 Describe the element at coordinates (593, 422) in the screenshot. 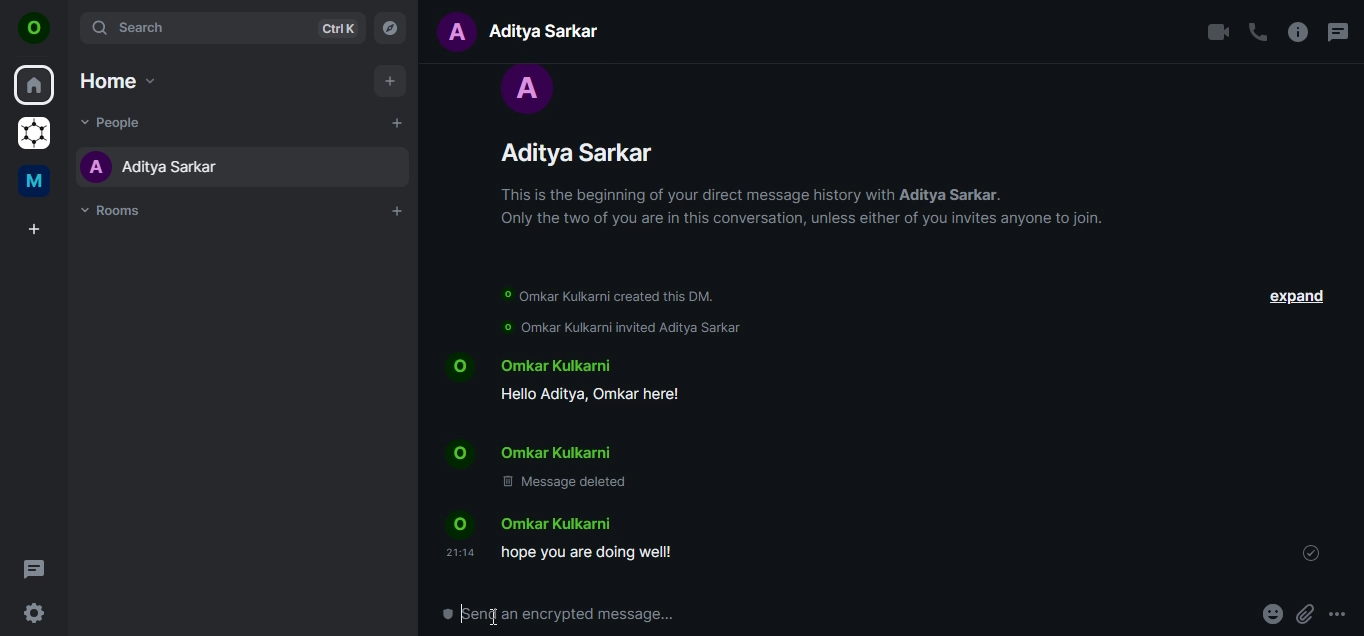

I see `text` at that location.